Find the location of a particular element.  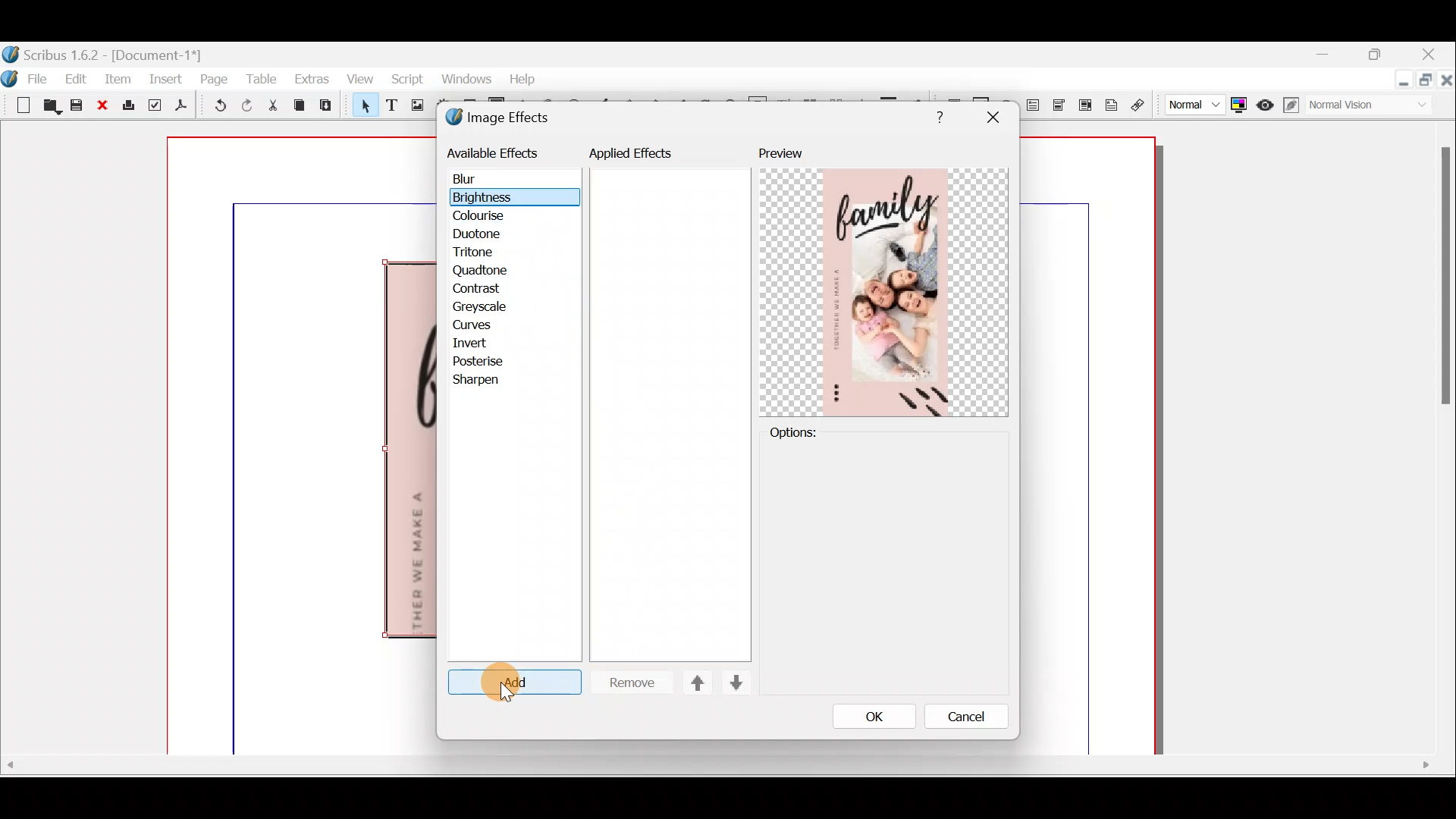

Script is located at coordinates (406, 81).